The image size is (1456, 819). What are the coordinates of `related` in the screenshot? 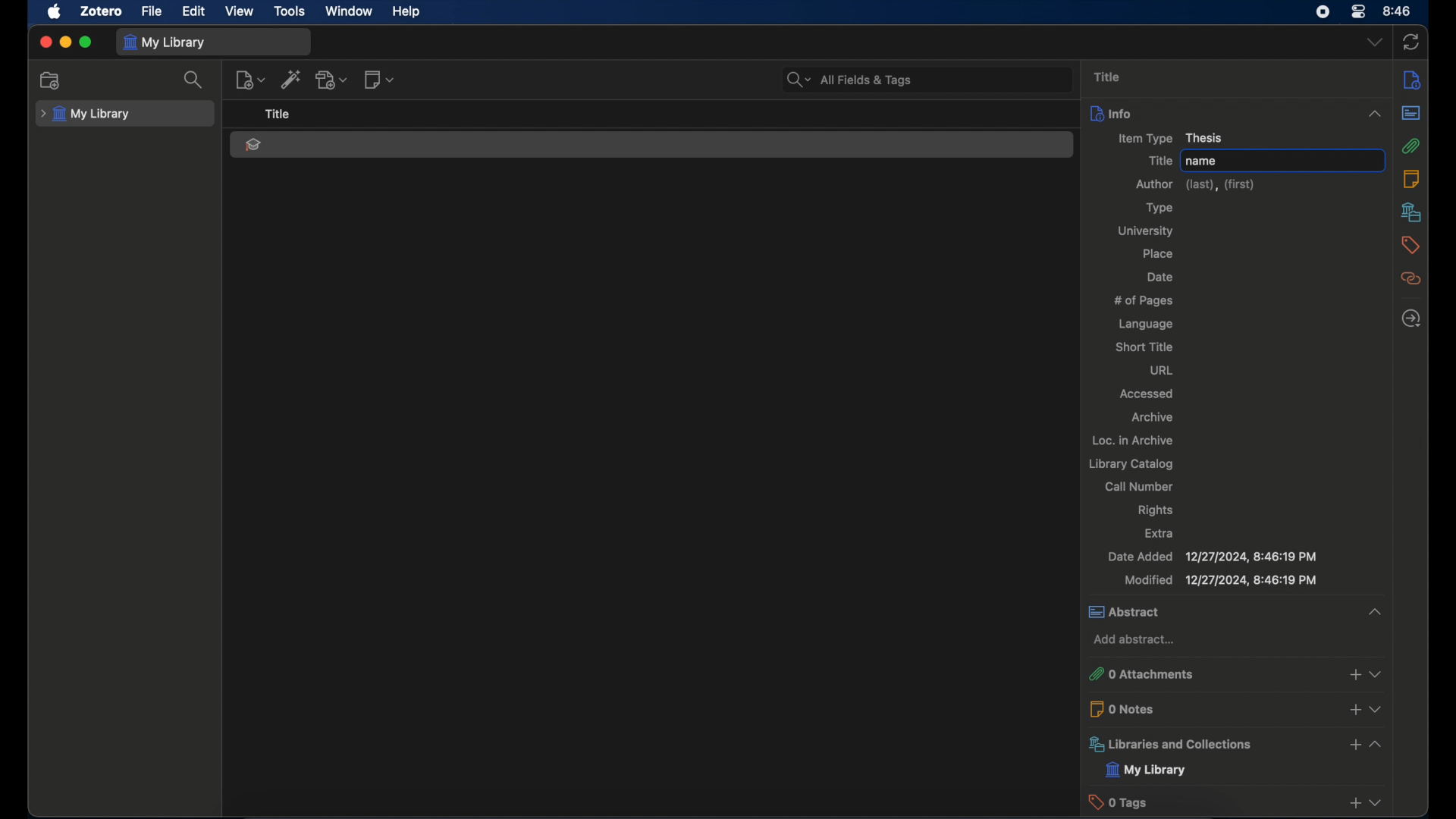 It's located at (1412, 279).